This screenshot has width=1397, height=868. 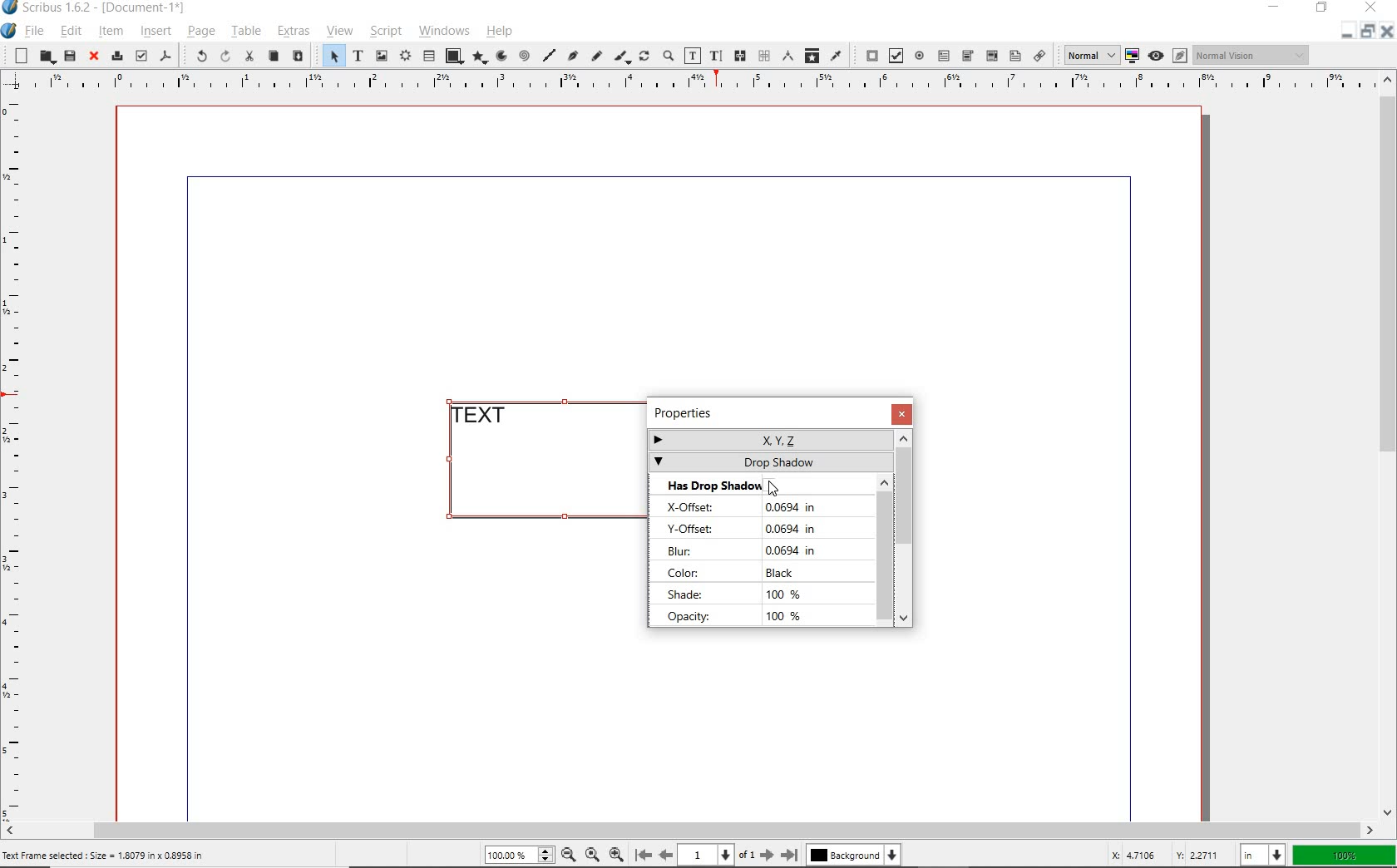 What do you see at coordinates (990, 56) in the screenshot?
I see `pdf combo box` at bounding box center [990, 56].